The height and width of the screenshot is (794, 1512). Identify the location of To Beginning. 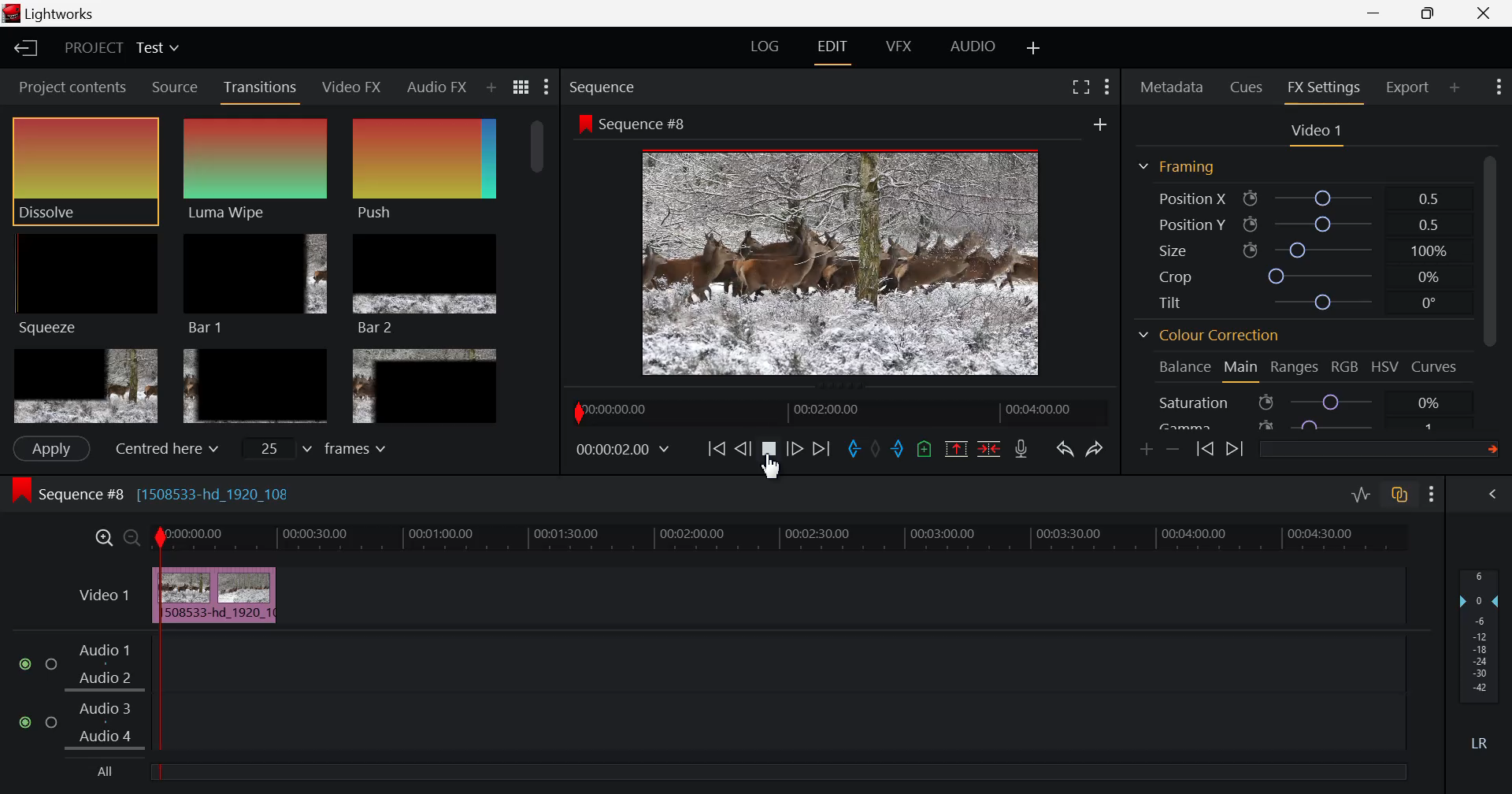
(714, 450).